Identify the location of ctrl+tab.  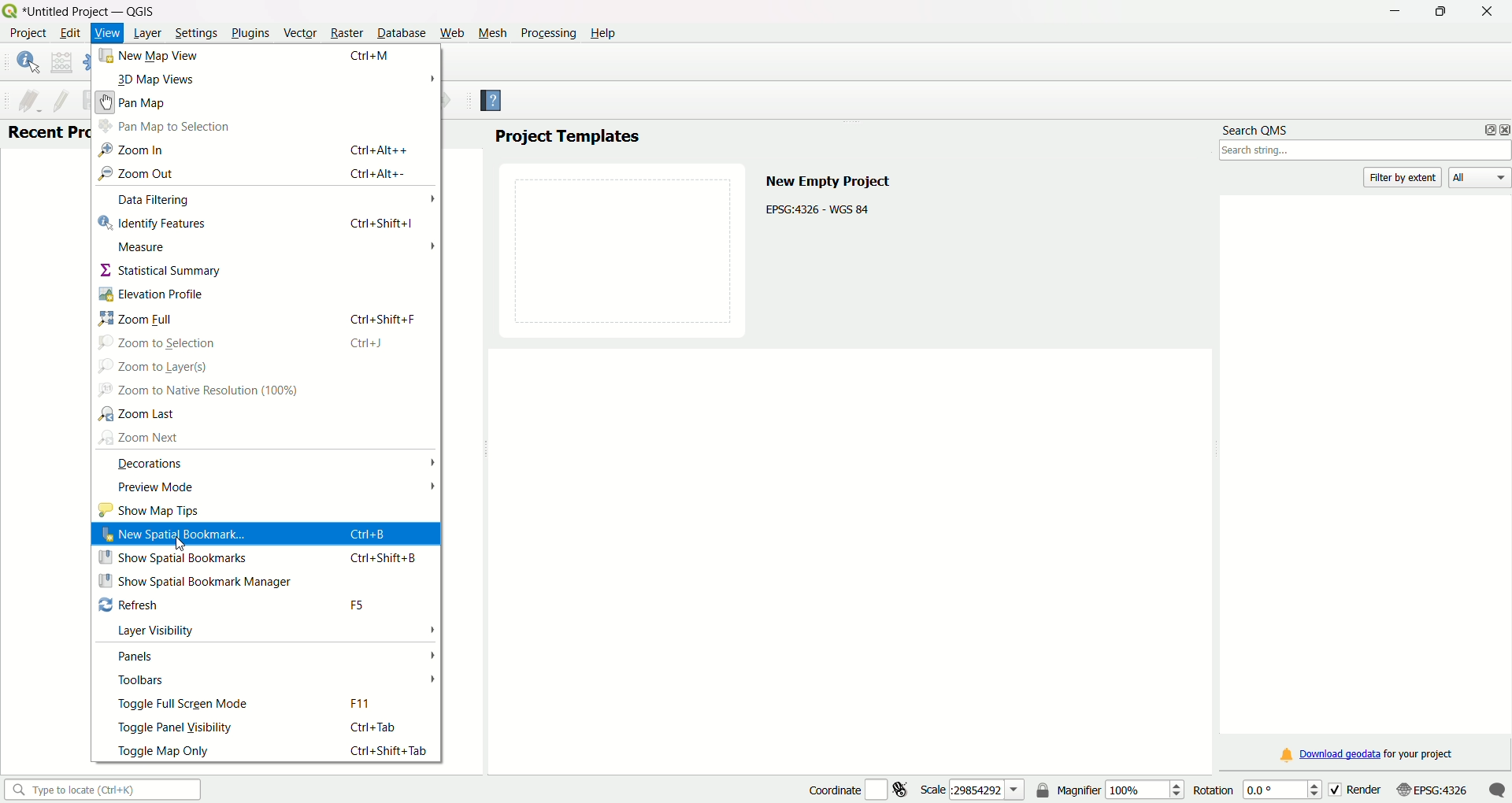
(377, 727).